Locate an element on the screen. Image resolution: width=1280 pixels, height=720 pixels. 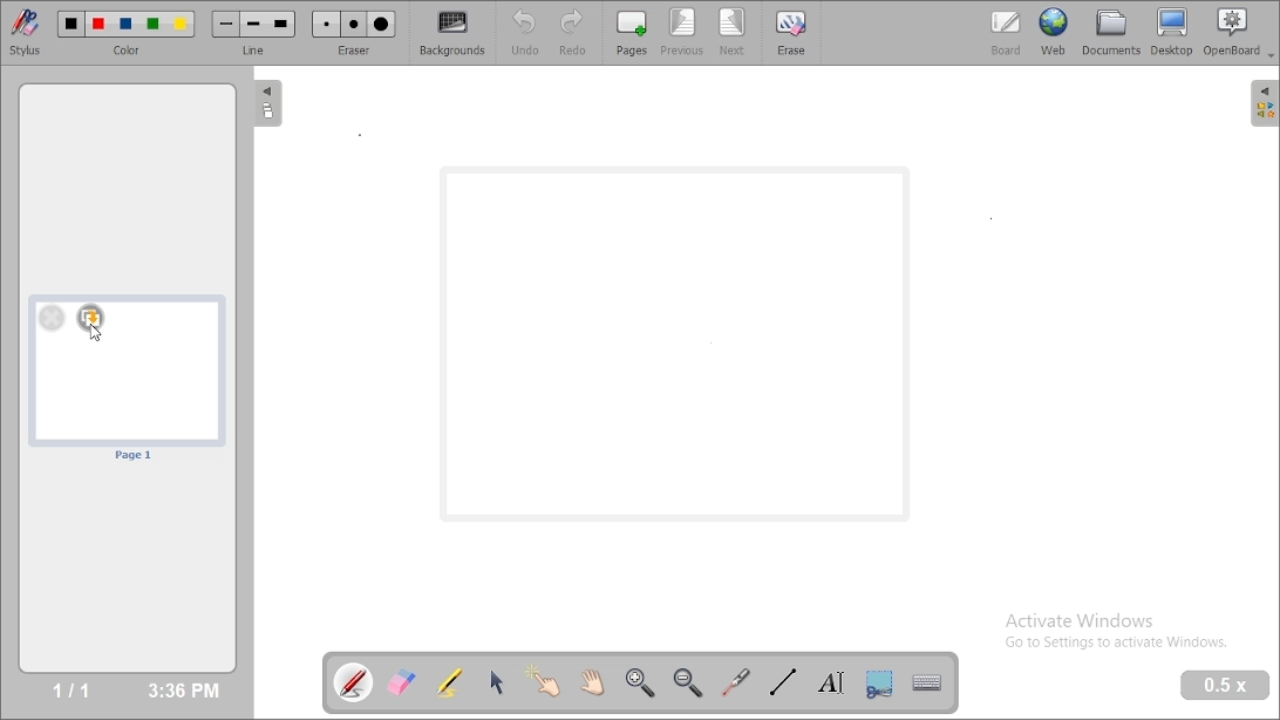
select and modify objects is located at coordinates (497, 682).